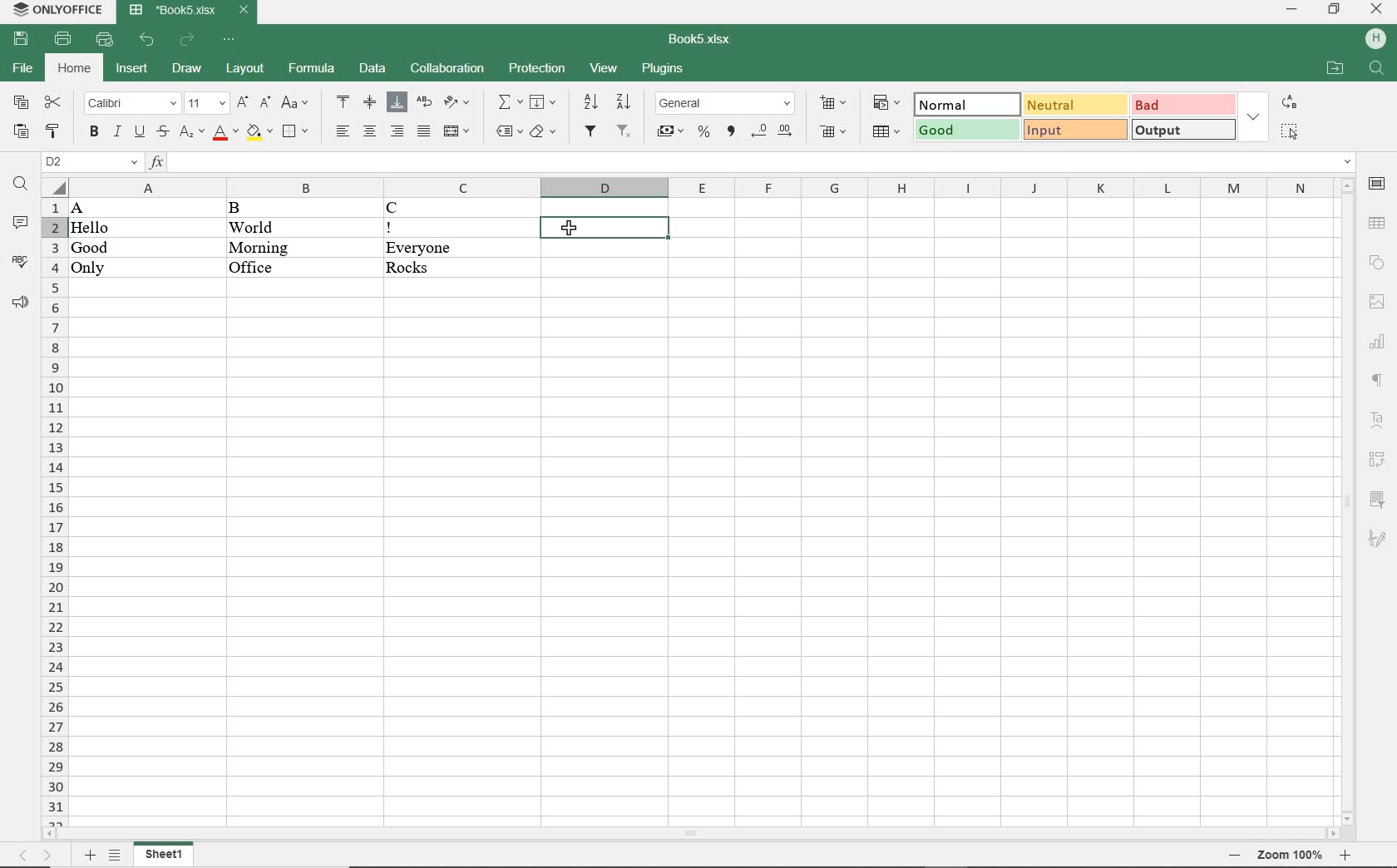 The image size is (1397, 868). I want to click on FORMULA, so click(309, 70).